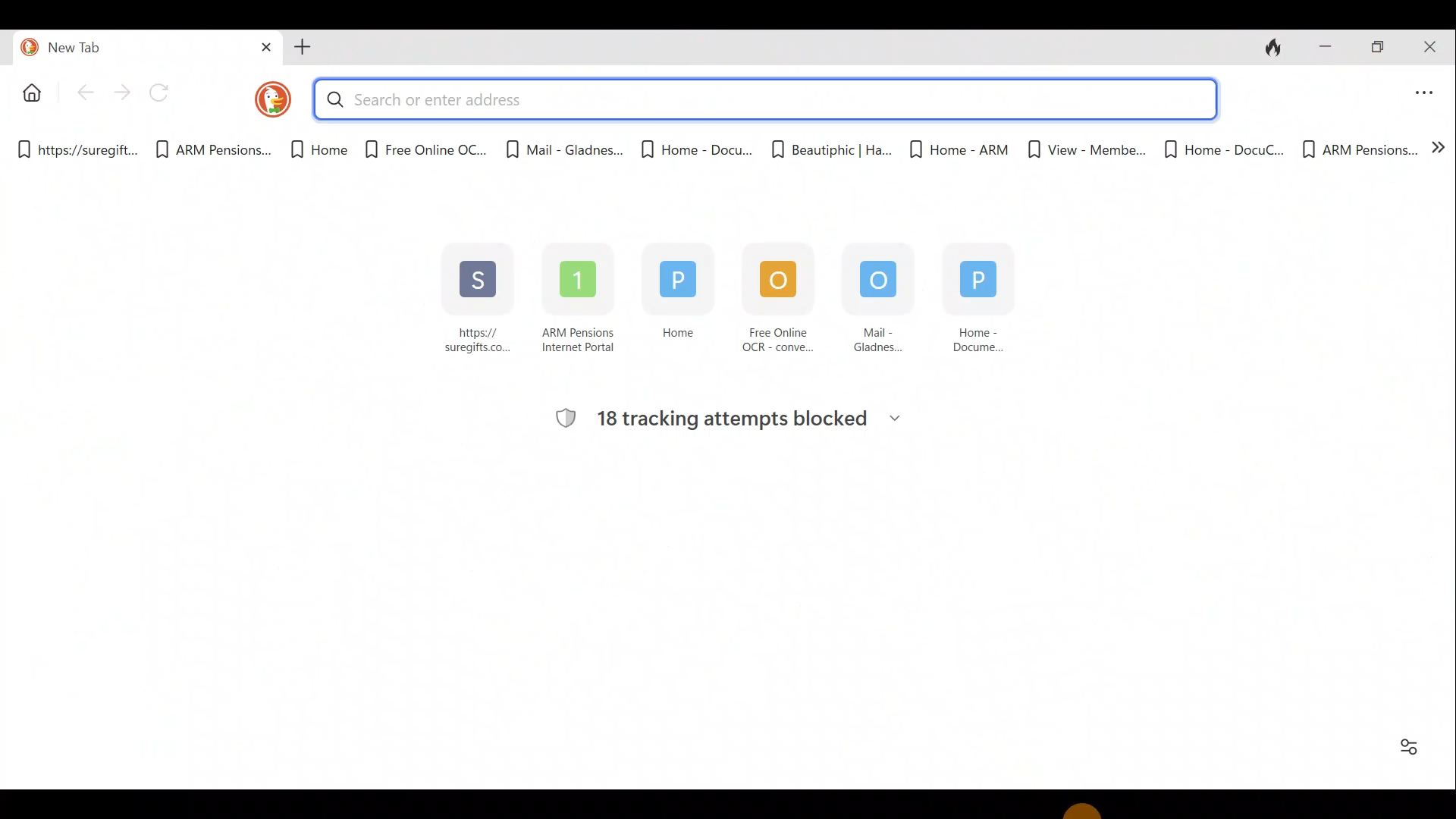  I want to click on Add tab, so click(312, 50).